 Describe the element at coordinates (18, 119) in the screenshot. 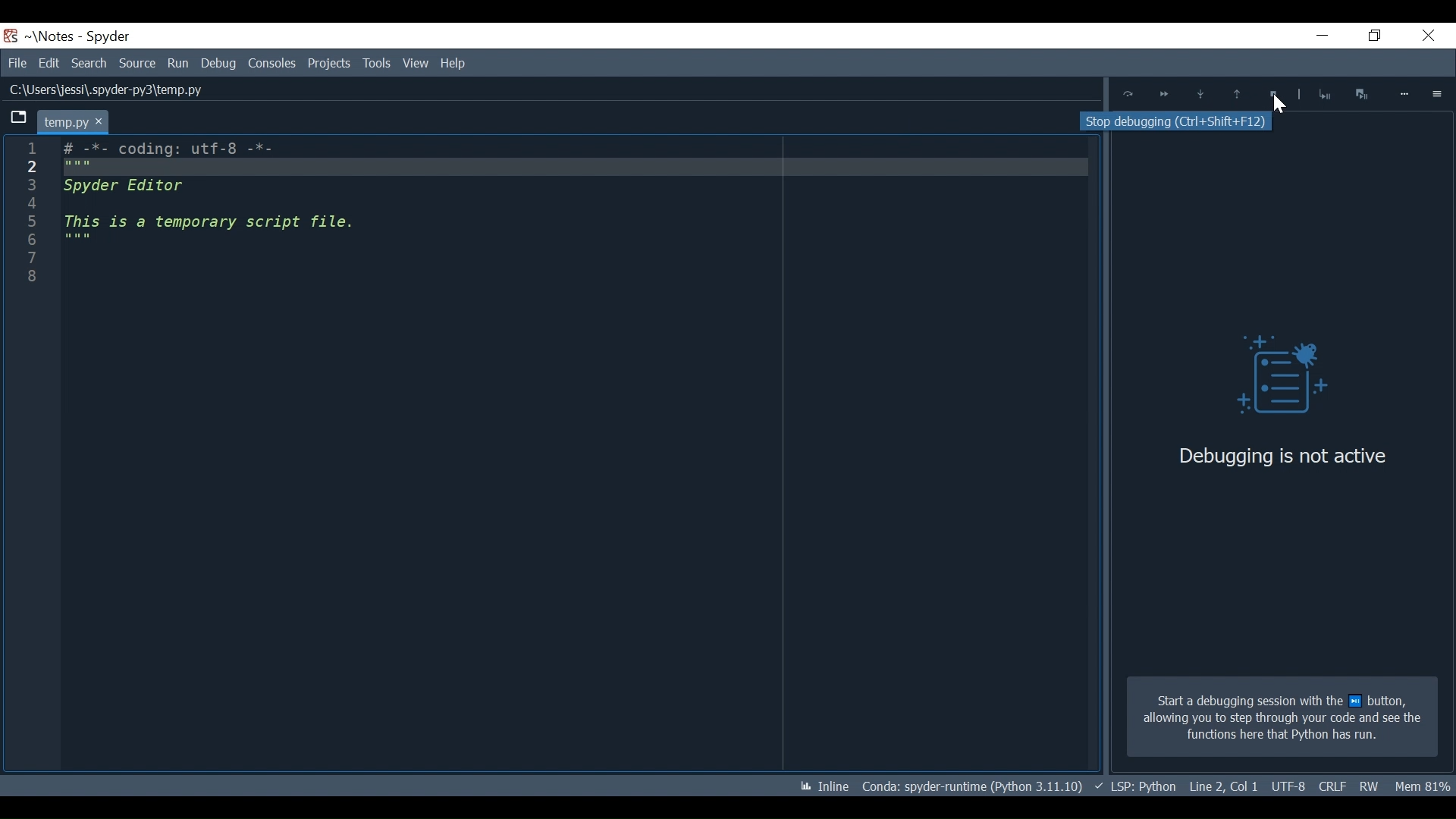

I see `Browse tab` at that location.